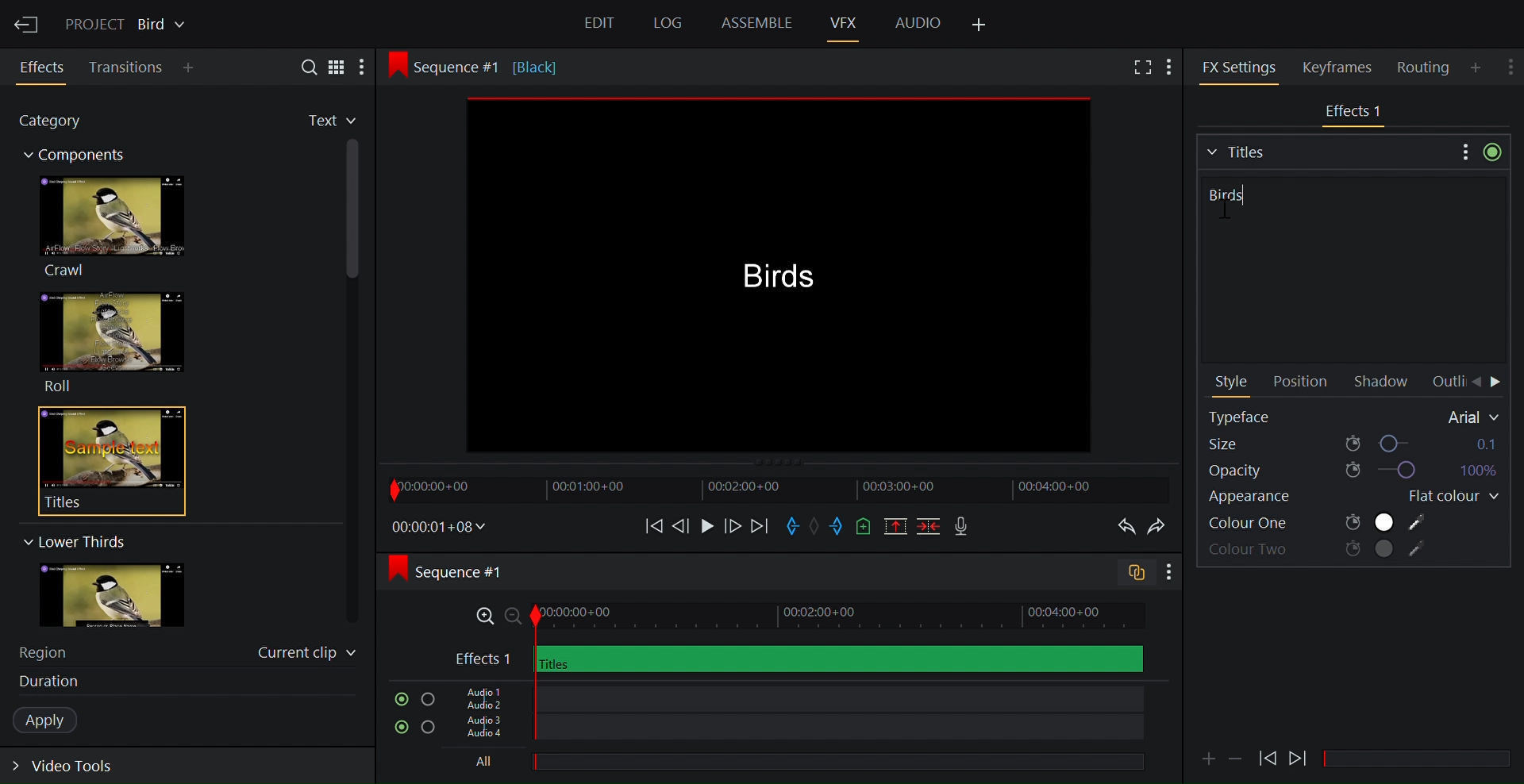 Image resolution: width=1524 pixels, height=784 pixels. Describe the element at coordinates (428, 700) in the screenshot. I see `Solo this track` at that location.